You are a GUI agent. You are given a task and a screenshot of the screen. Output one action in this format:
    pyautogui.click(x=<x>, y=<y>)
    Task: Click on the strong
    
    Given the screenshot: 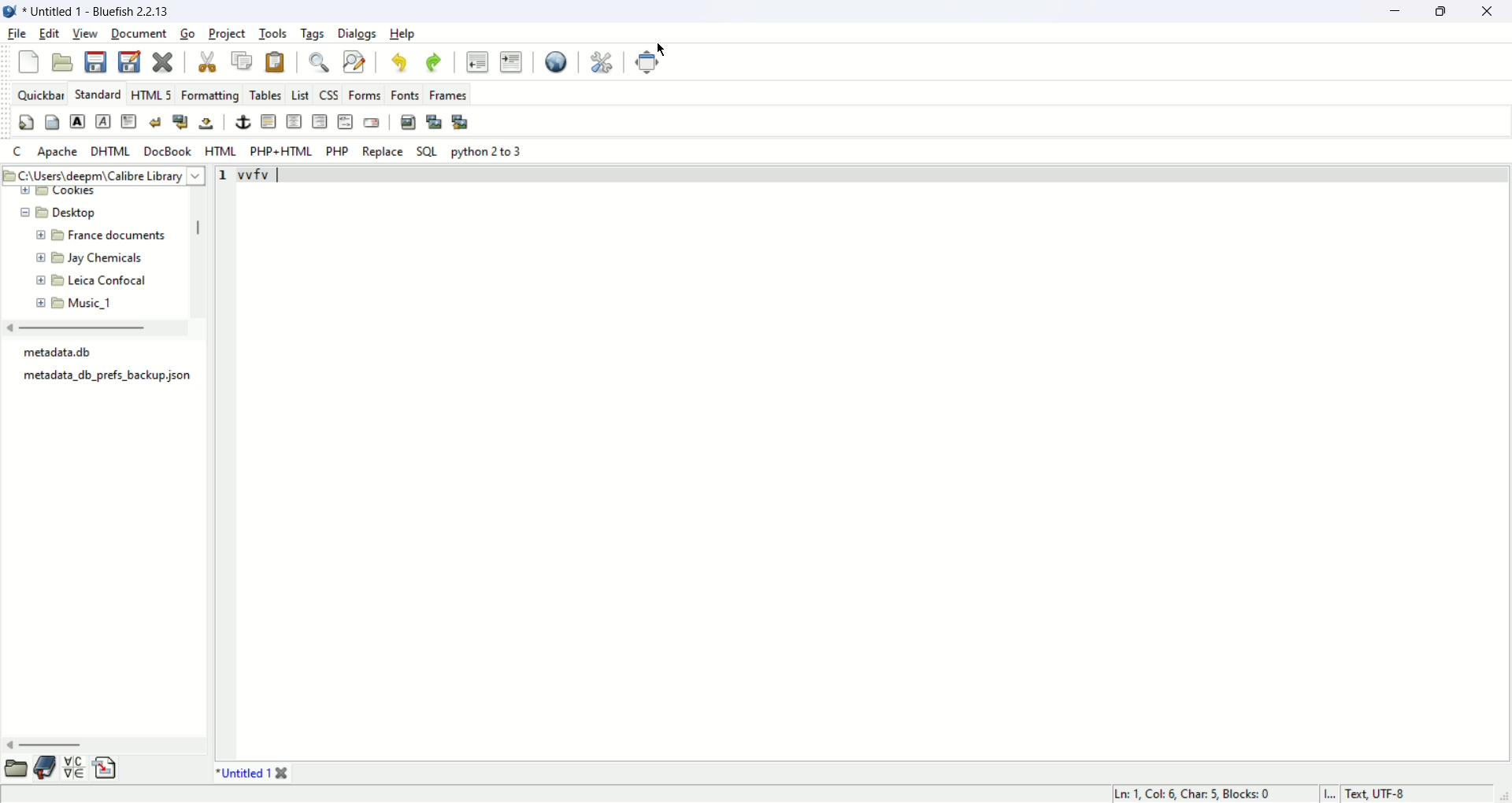 What is the action you would take?
    pyautogui.click(x=76, y=120)
    